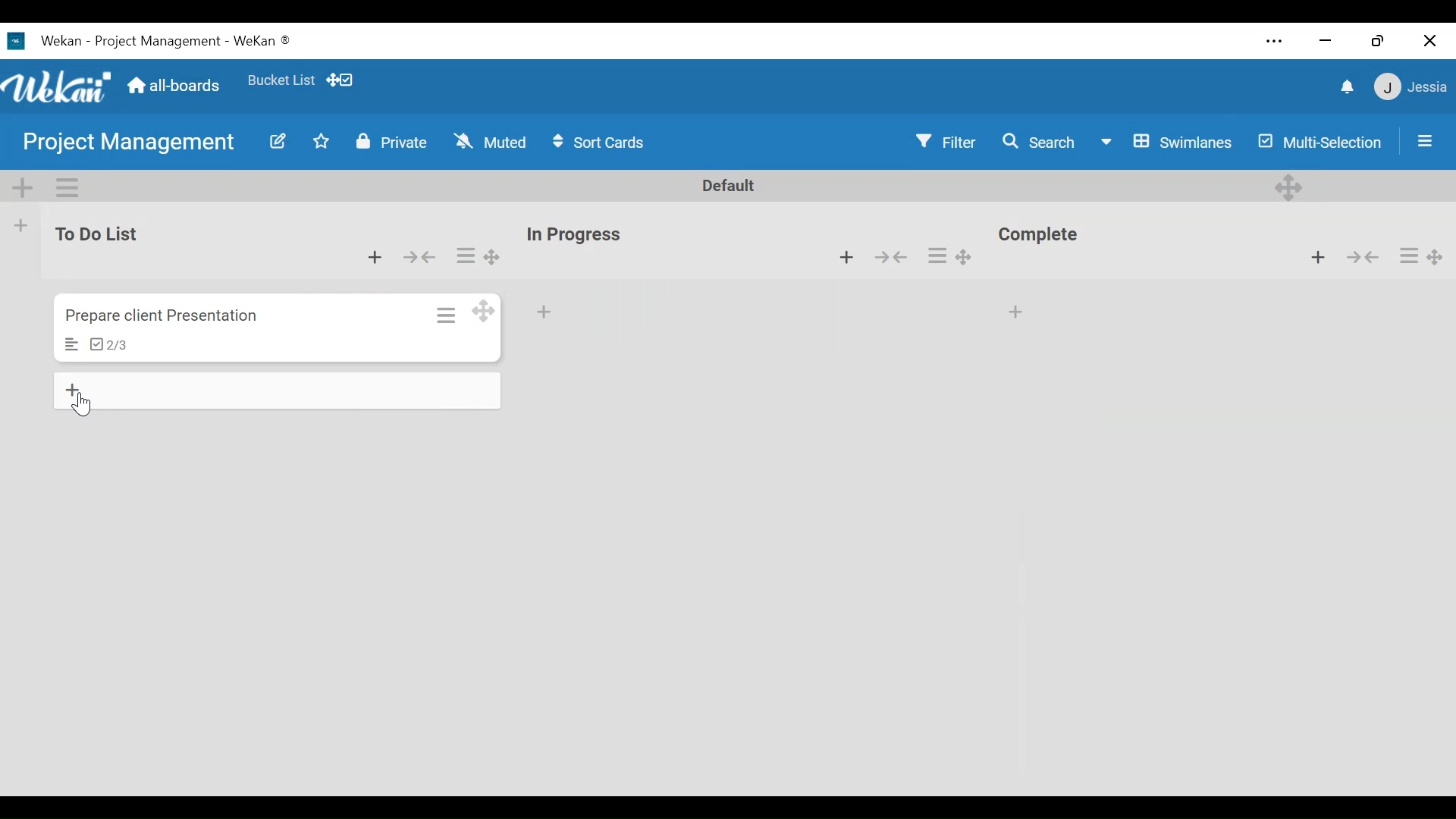 The width and height of the screenshot is (1456, 819). Describe the element at coordinates (122, 143) in the screenshot. I see `Project management` at that location.